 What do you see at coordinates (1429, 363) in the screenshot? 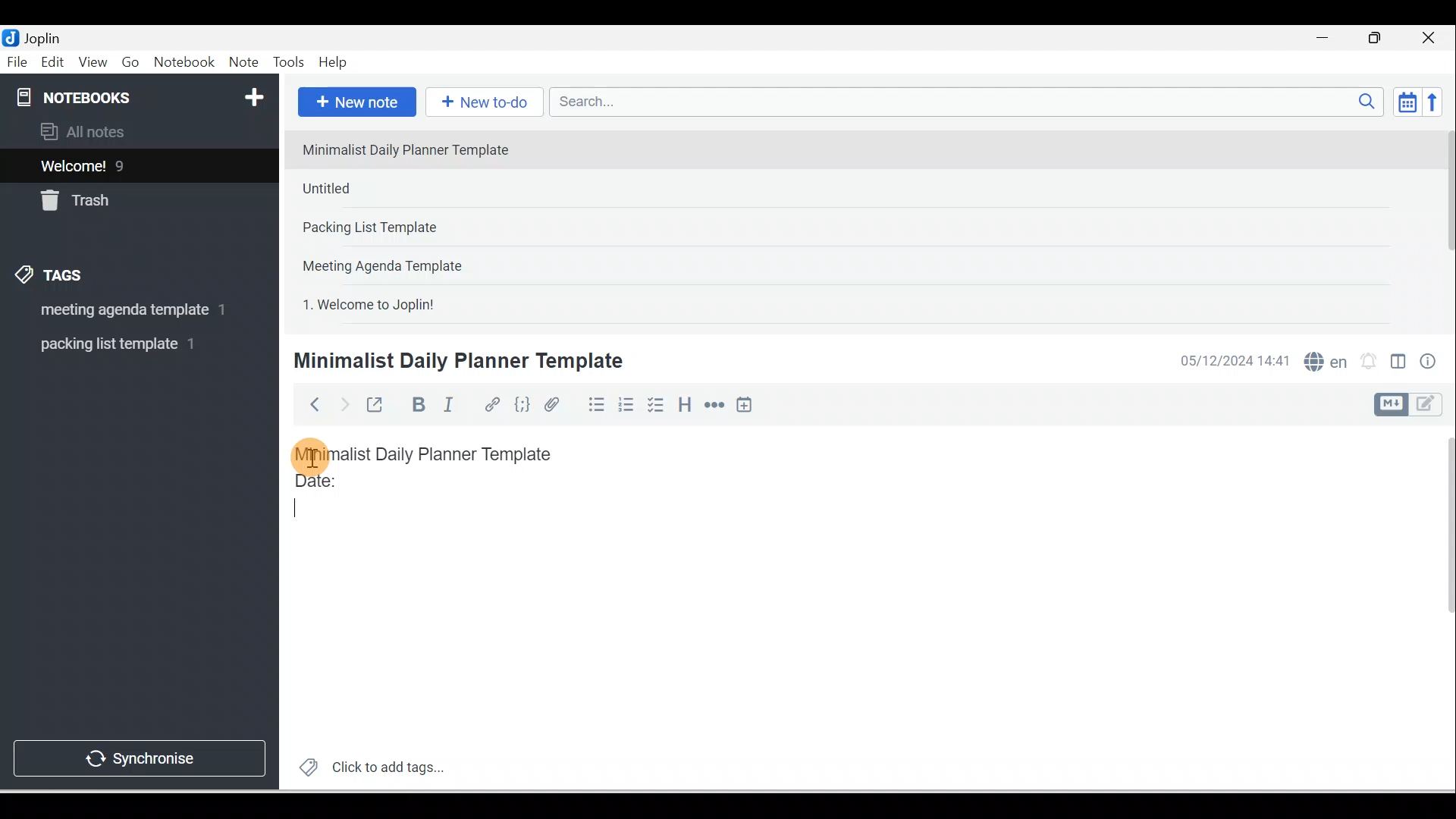
I see `Note properties` at bounding box center [1429, 363].